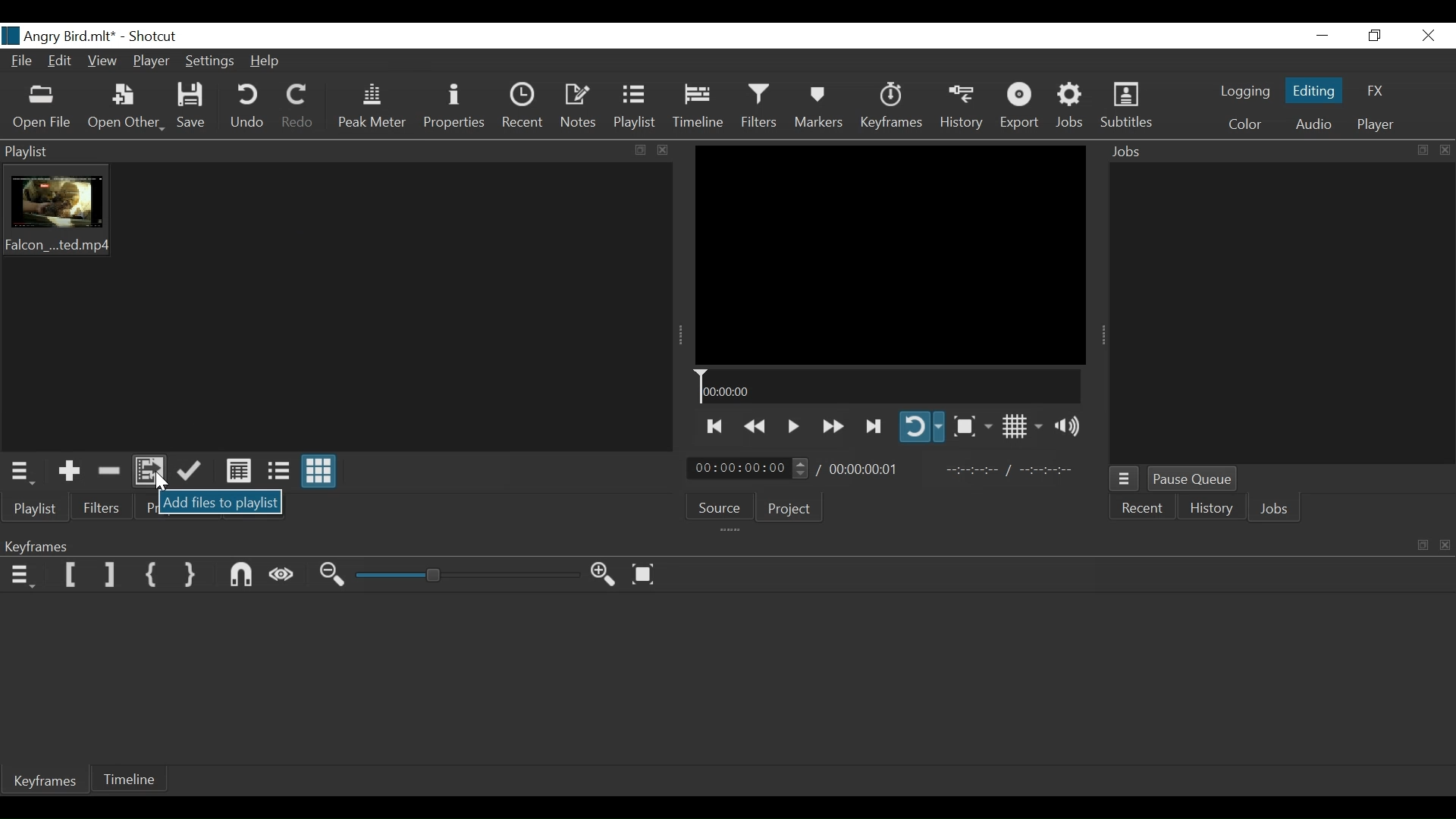 The height and width of the screenshot is (819, 1456). Describe the element at coordinates (99, 507) in the screenshot. I see `Filter` at that location.